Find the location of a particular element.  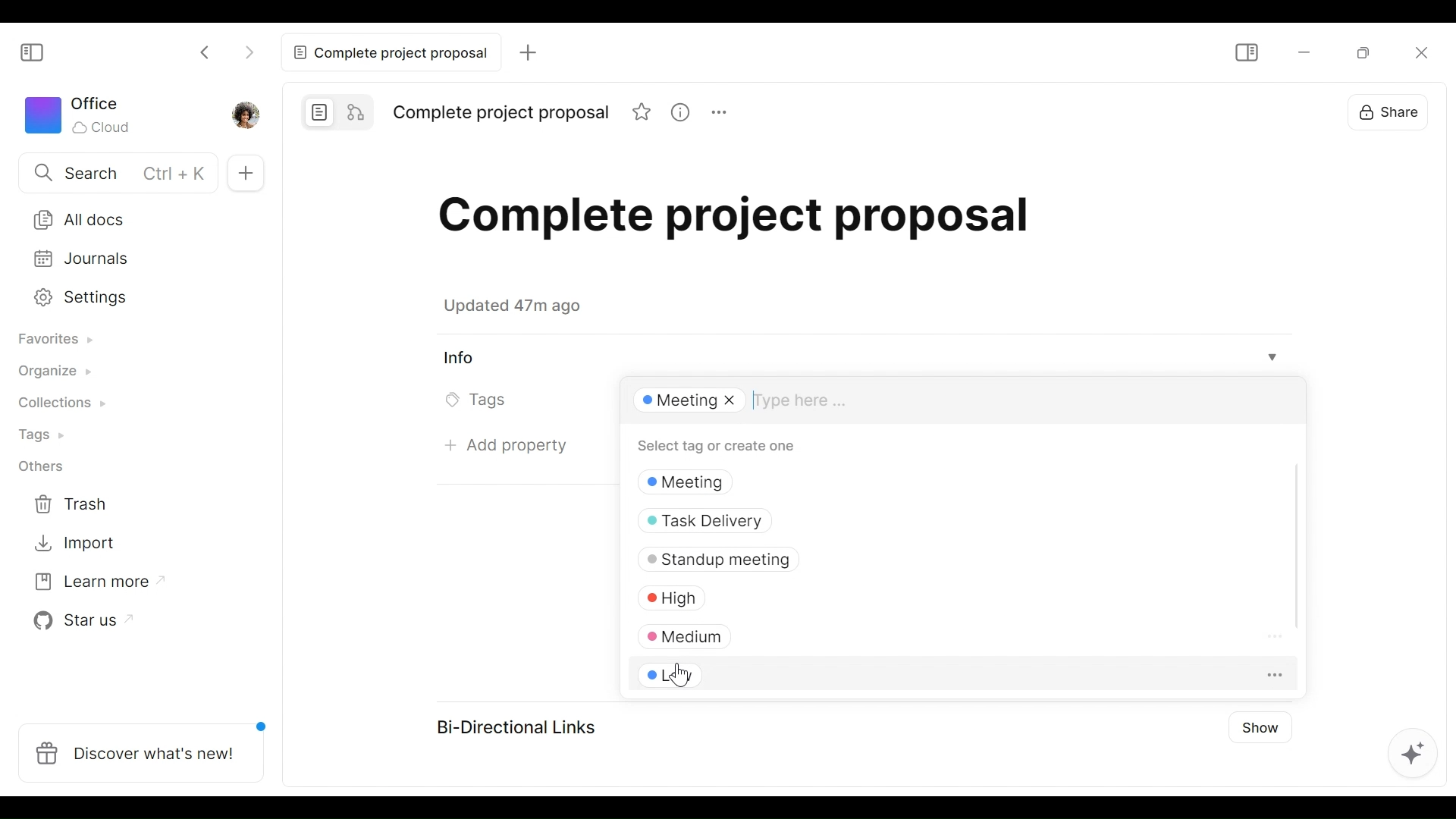

minimize is located at coordinates (1302, 52).